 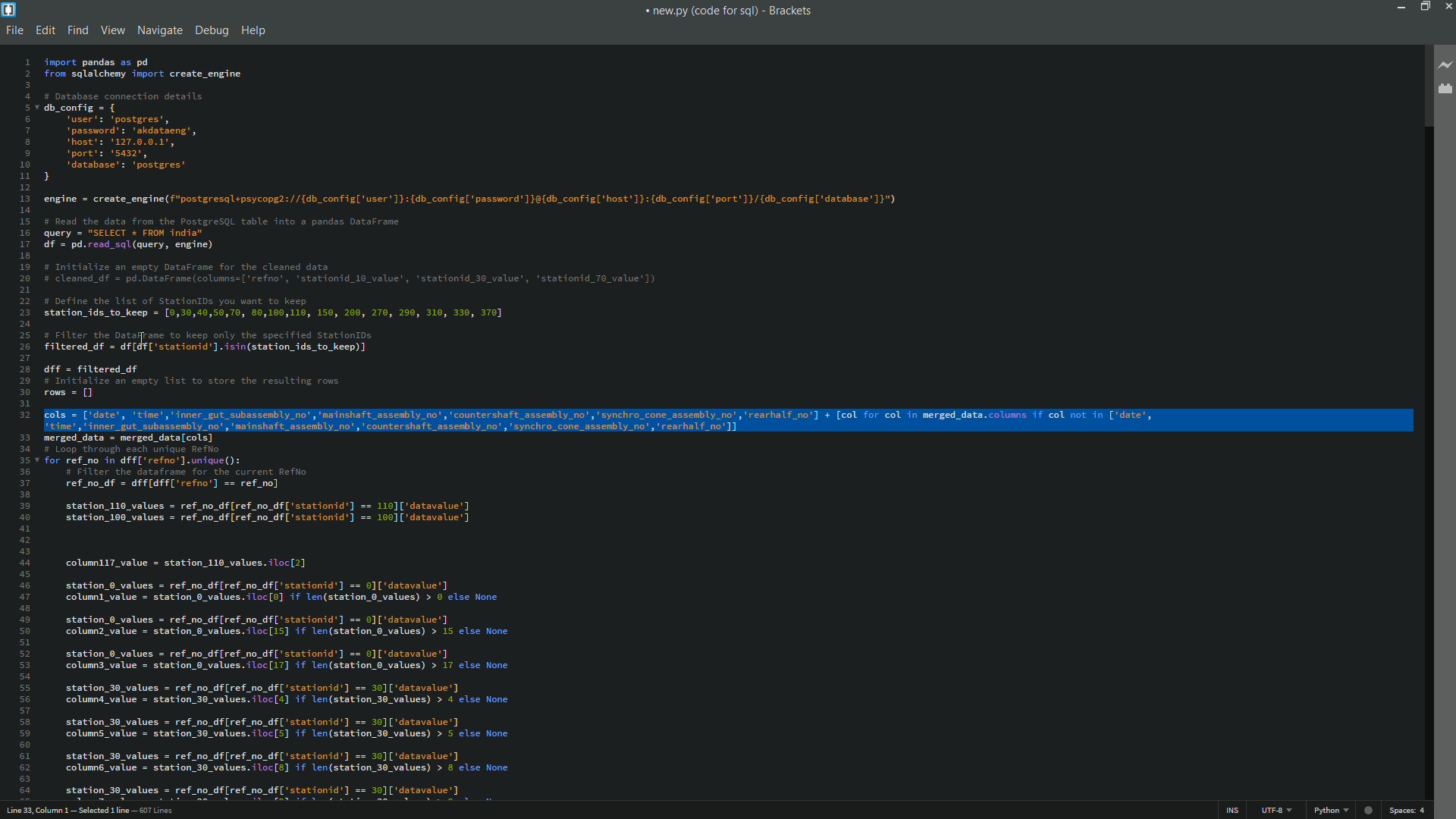 I want to click on close app, so click(x=1447, y=6).